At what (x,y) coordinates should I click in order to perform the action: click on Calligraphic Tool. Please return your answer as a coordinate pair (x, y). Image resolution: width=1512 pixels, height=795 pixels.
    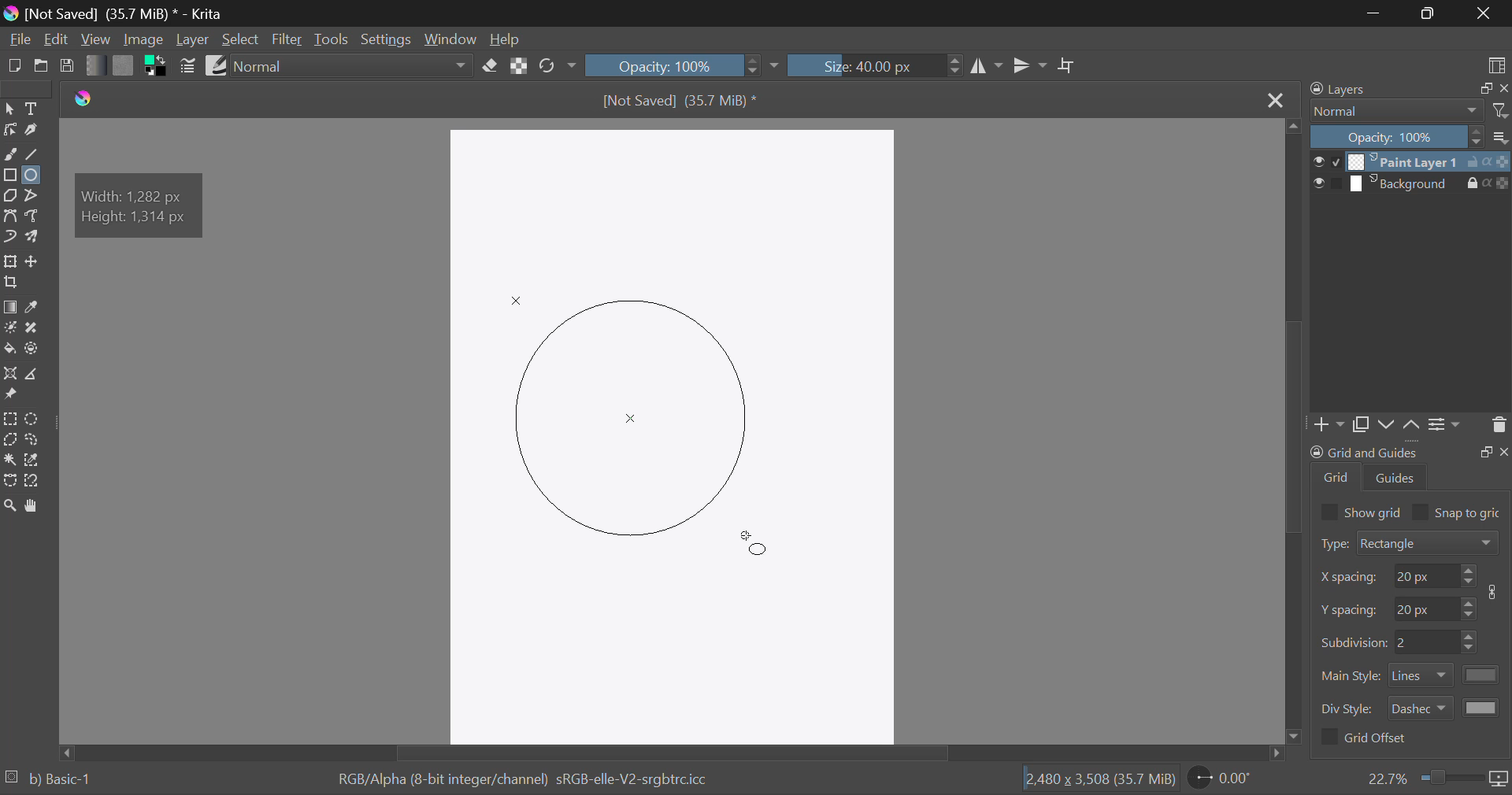
    Looking at the image, I should click on (32, 130).